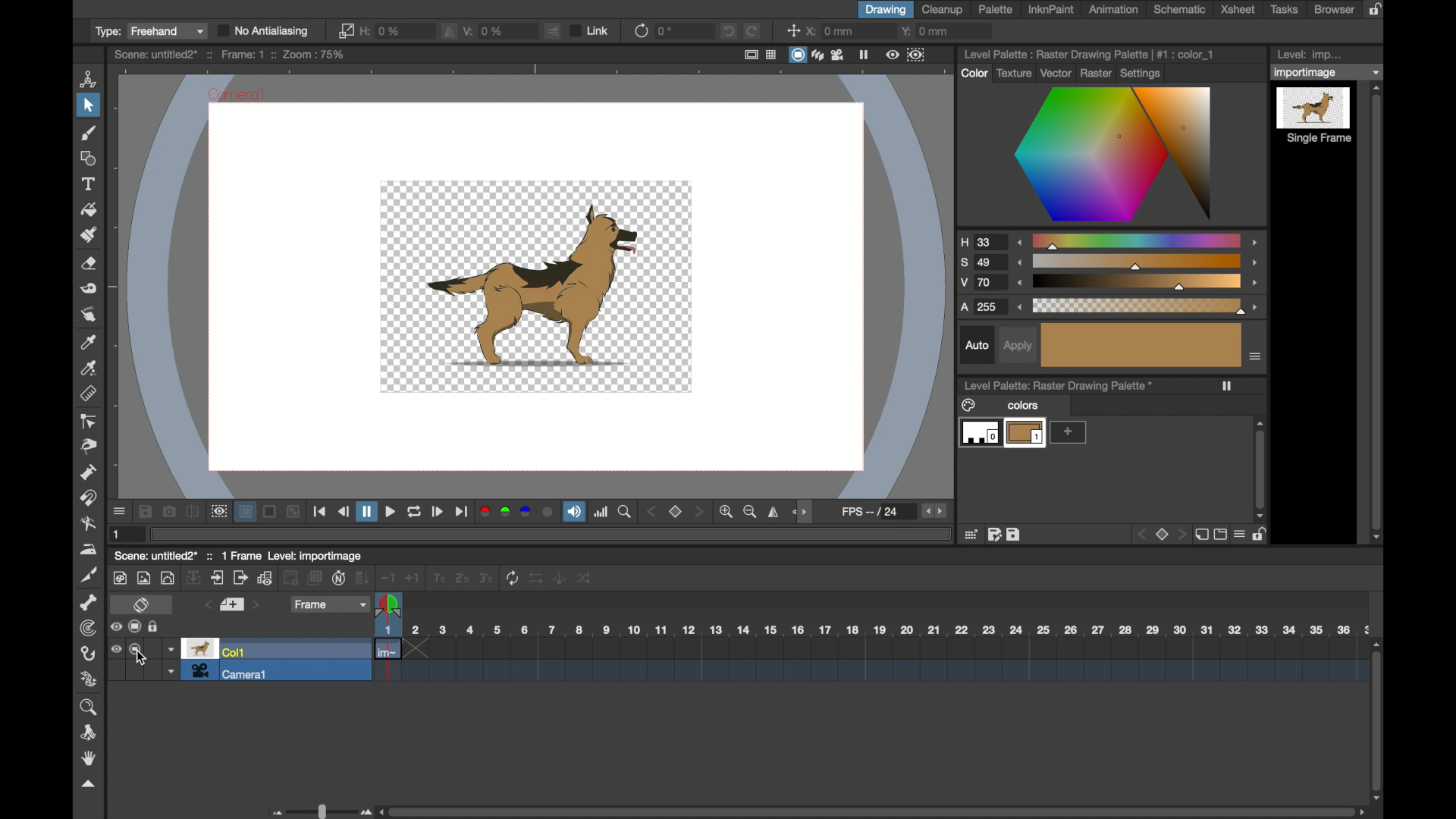  I want to click on minimize, so click(293, 513).